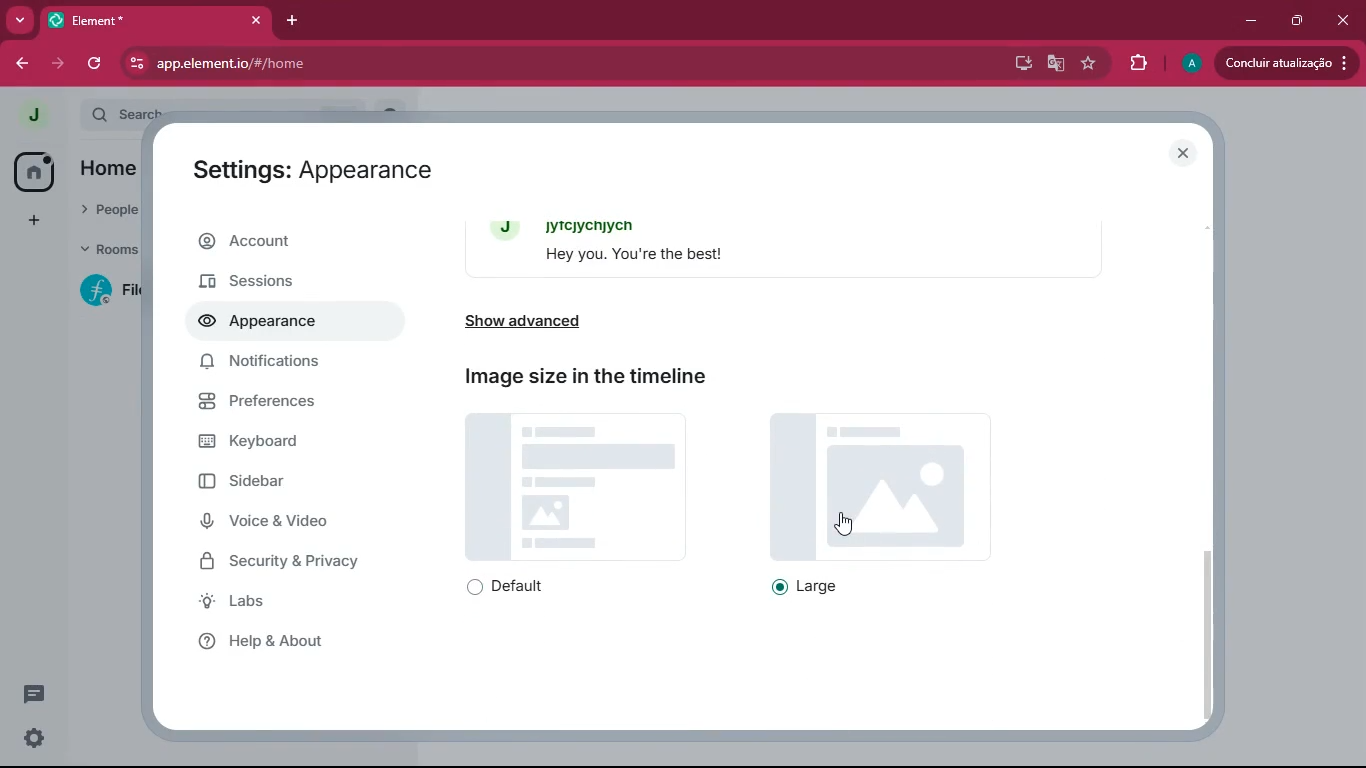  Describe the element at coordinates (279, 408) in the screenshot. I see `preferences` at that location.